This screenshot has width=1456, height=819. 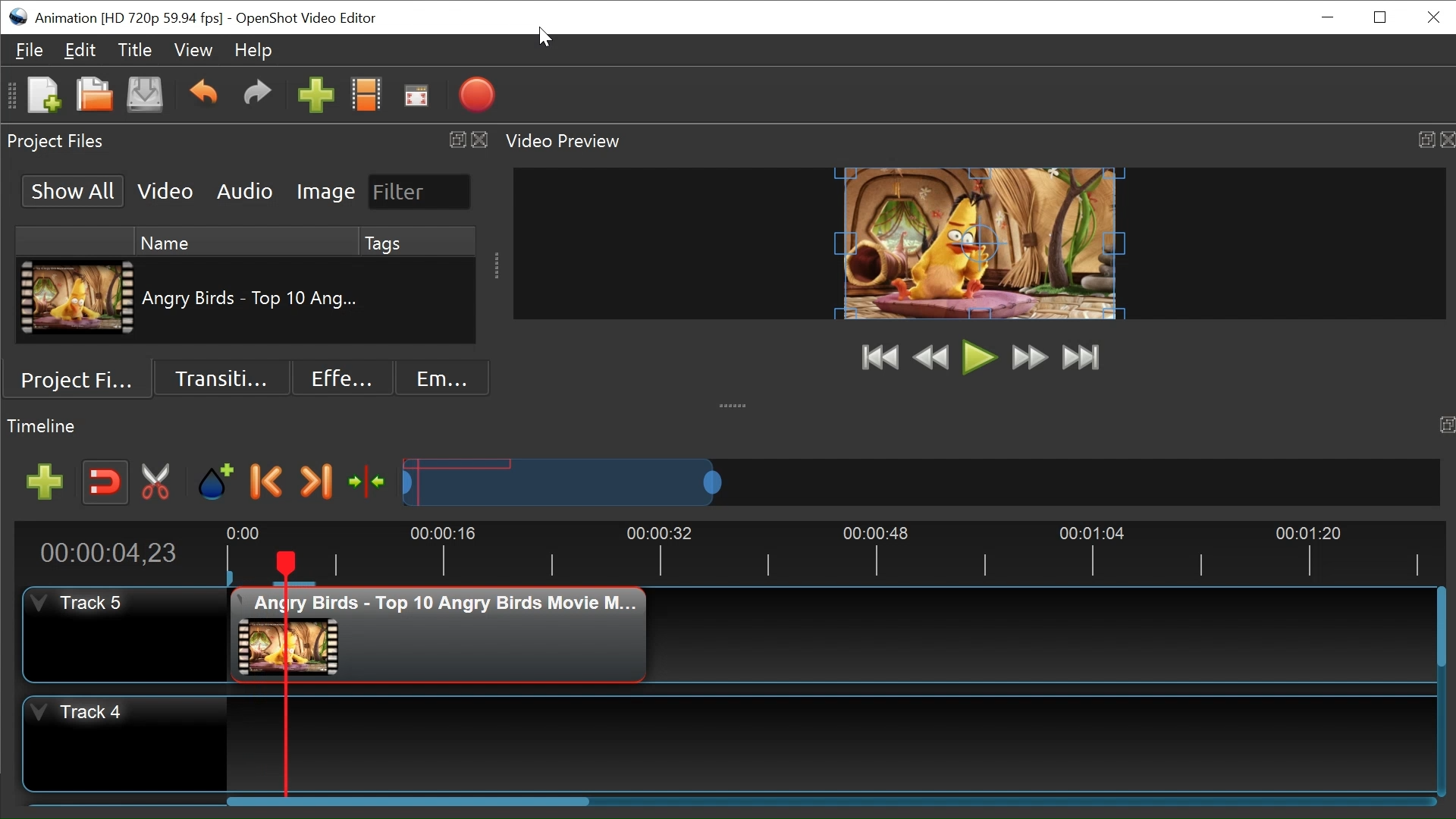 What do you see at coordinates (108, 554) in the screenshot?
I see `Current Position` at bounding box center [108, 554].